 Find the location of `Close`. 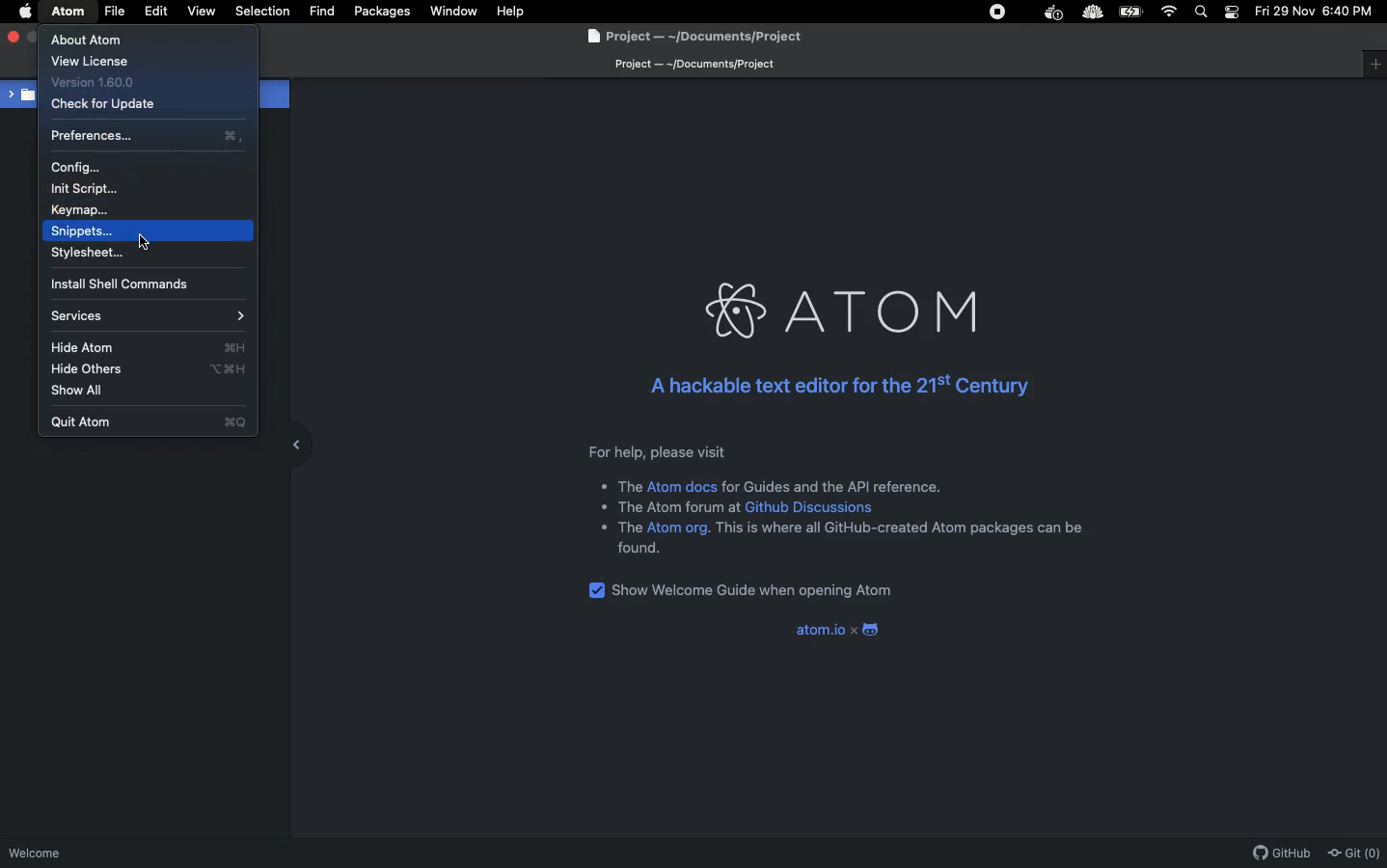

Close is located at coordinates (15, 36).